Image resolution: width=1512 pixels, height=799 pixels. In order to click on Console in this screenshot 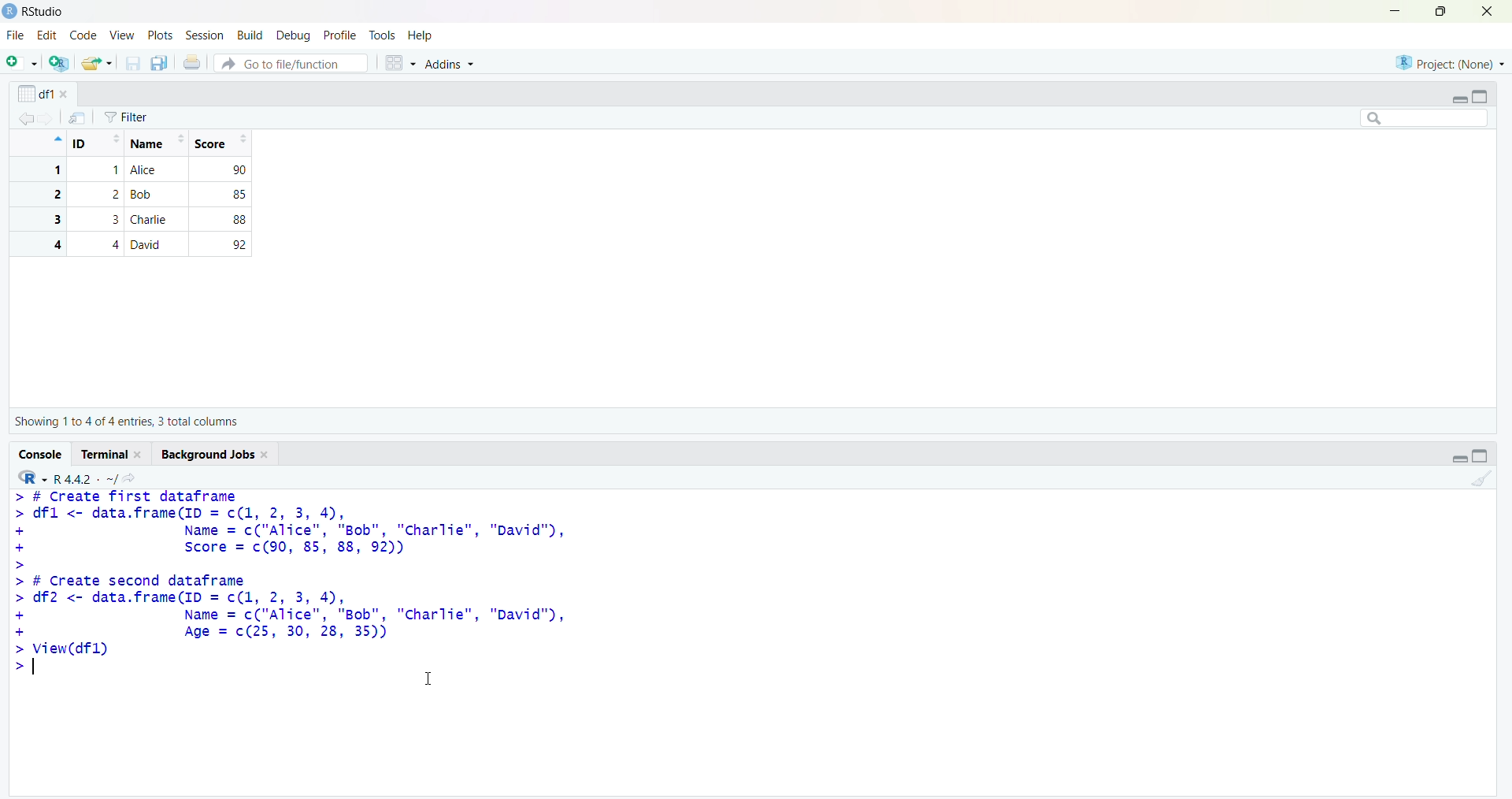, I will do `click(42, 455)`.